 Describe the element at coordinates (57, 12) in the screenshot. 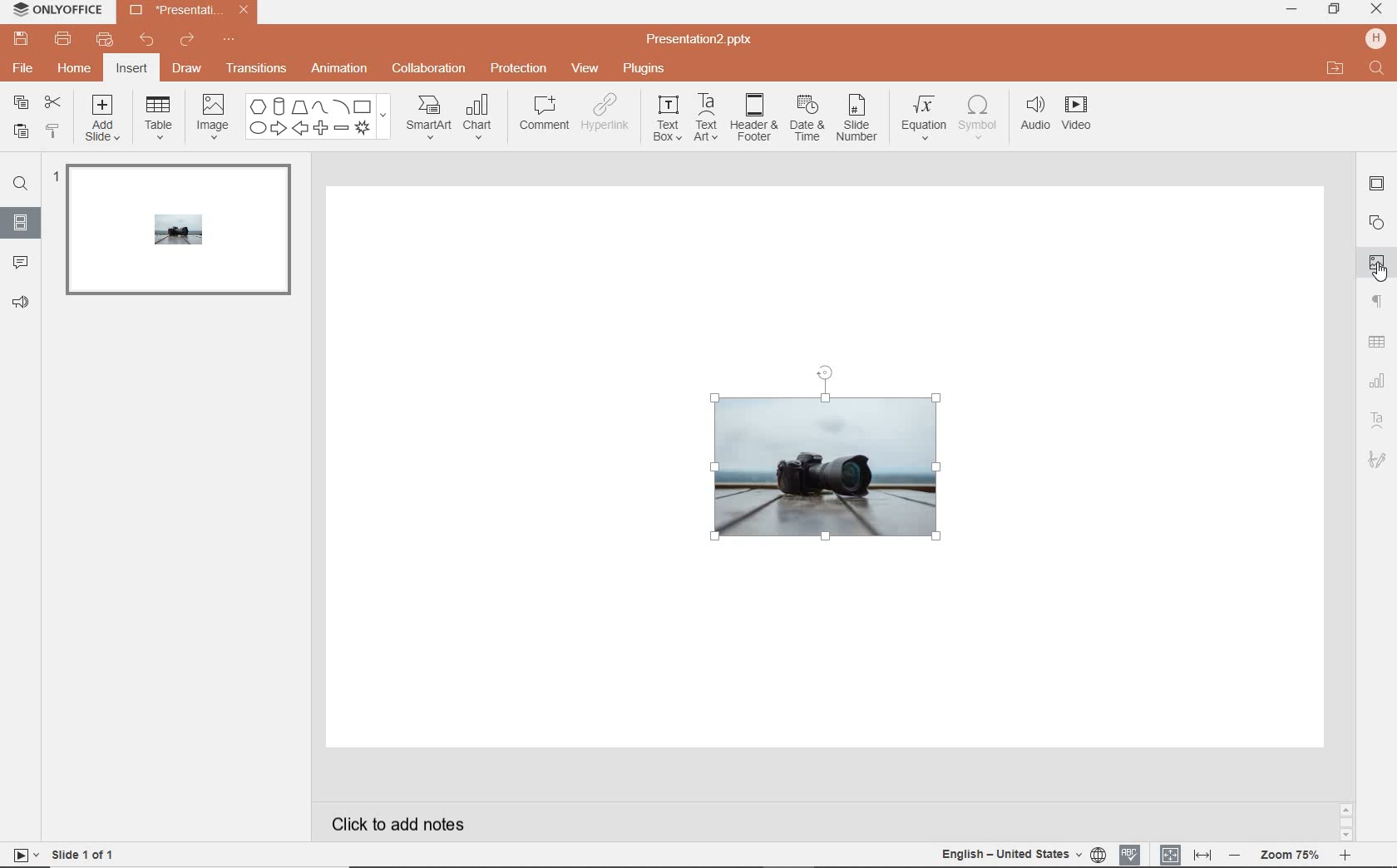

I see `ONLYOFFICE` at that location.